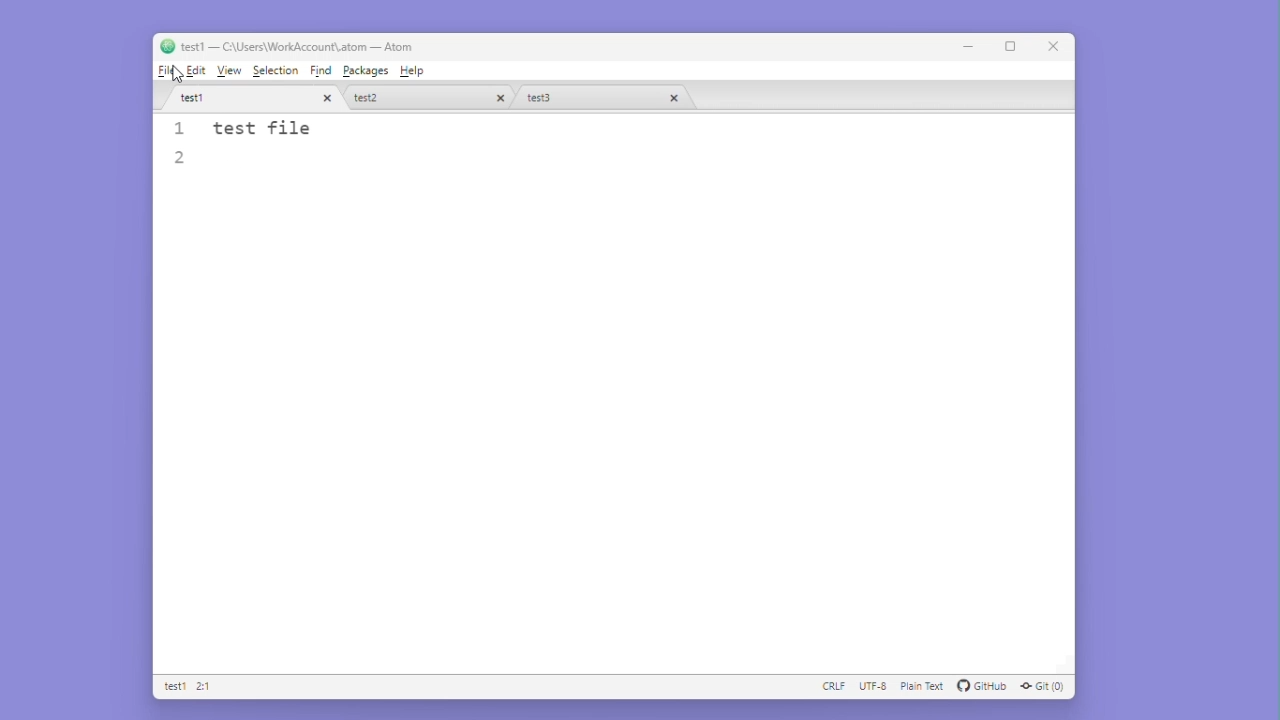 The height and width of the screenshot is (720, 1280). Describe the element at coordinates (1051, 48) in the screenshot. I see `Close` at that location.